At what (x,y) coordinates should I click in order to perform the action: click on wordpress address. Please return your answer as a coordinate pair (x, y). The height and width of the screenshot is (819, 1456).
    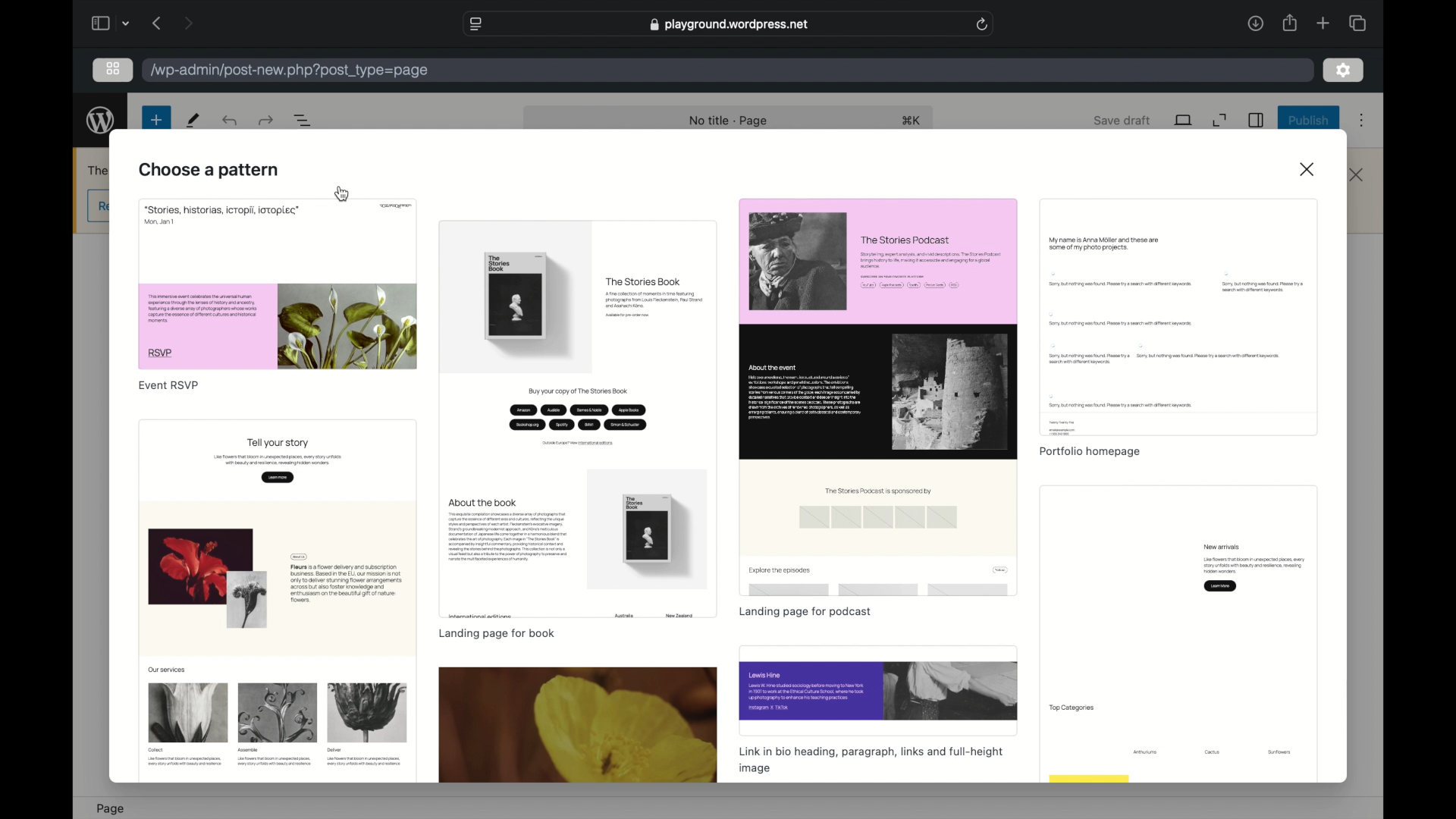
    Looking at the image, I should click on (288, 71).